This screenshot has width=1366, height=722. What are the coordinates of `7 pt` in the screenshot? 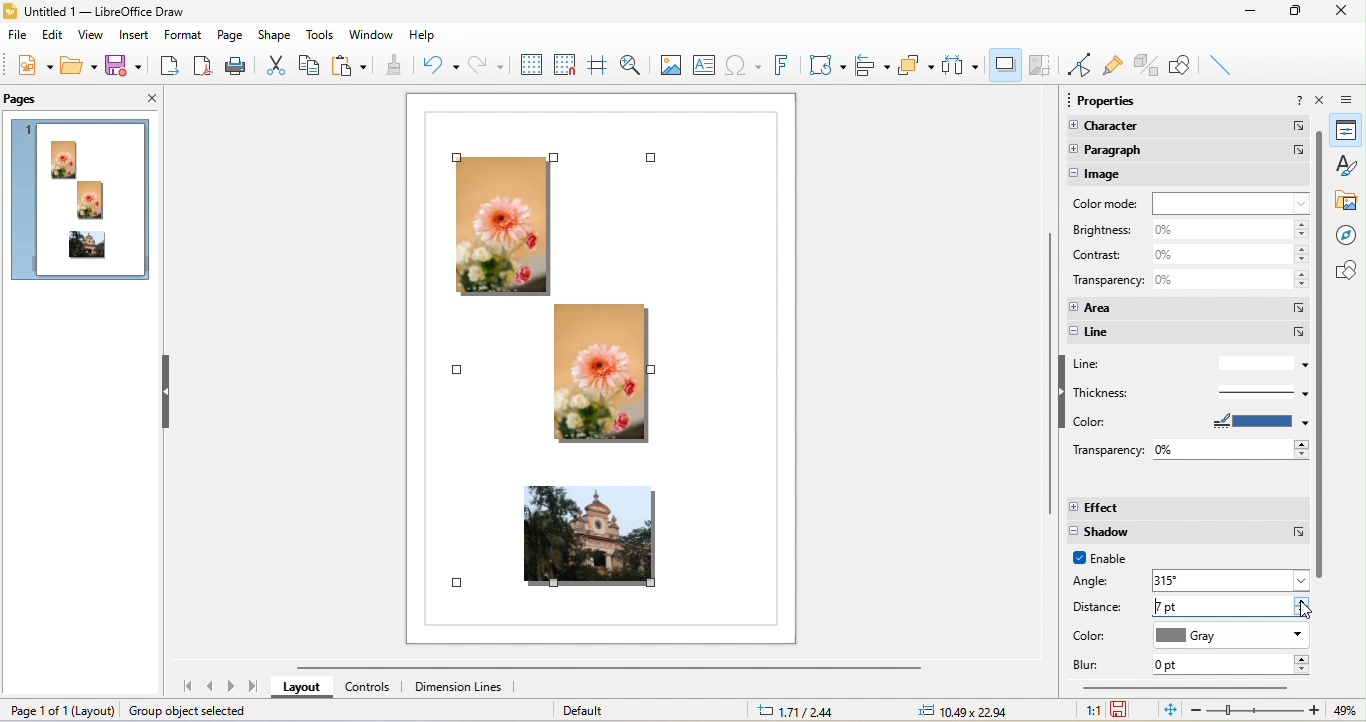 It's located at (1231, 606).